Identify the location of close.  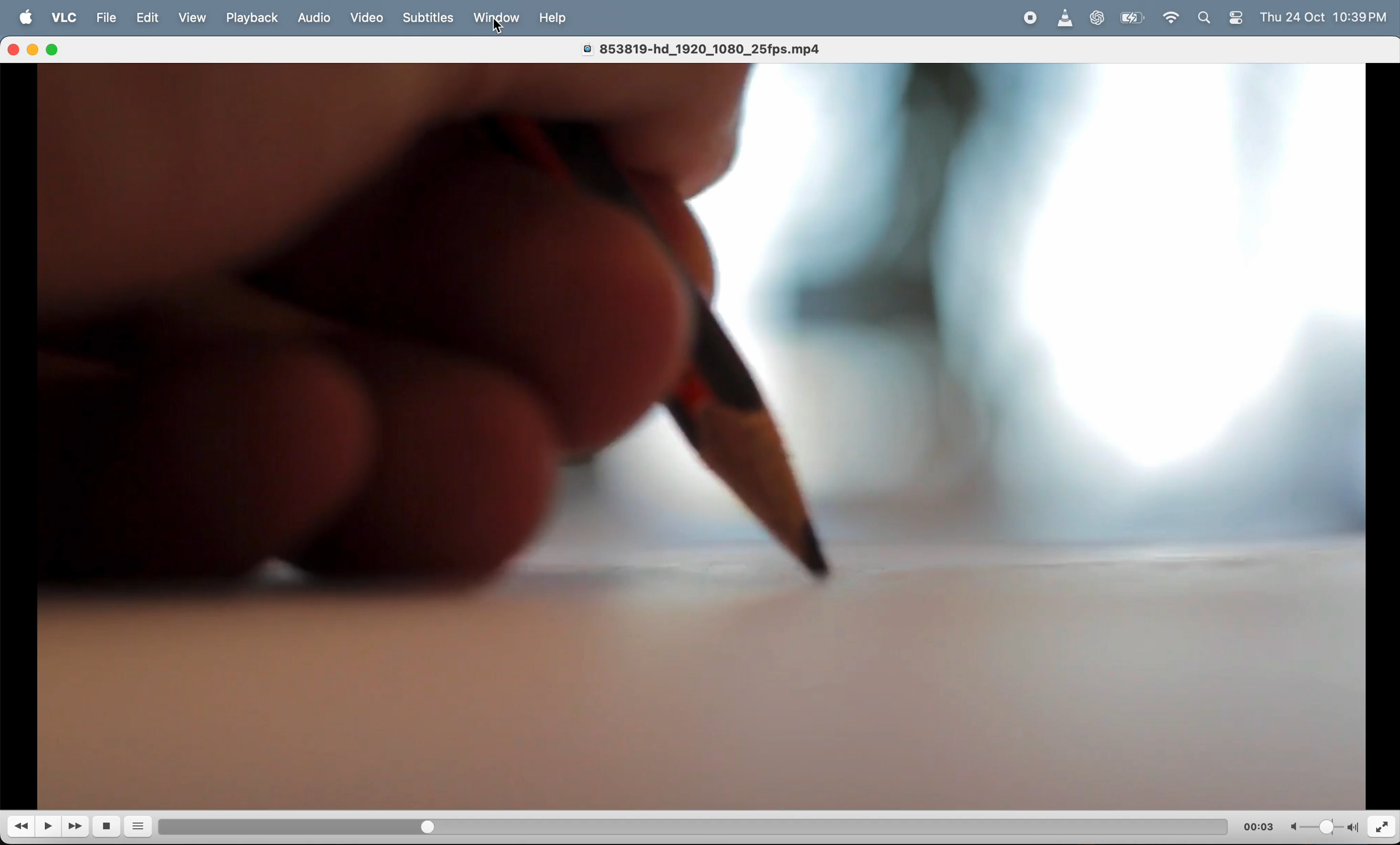
(15, 49).